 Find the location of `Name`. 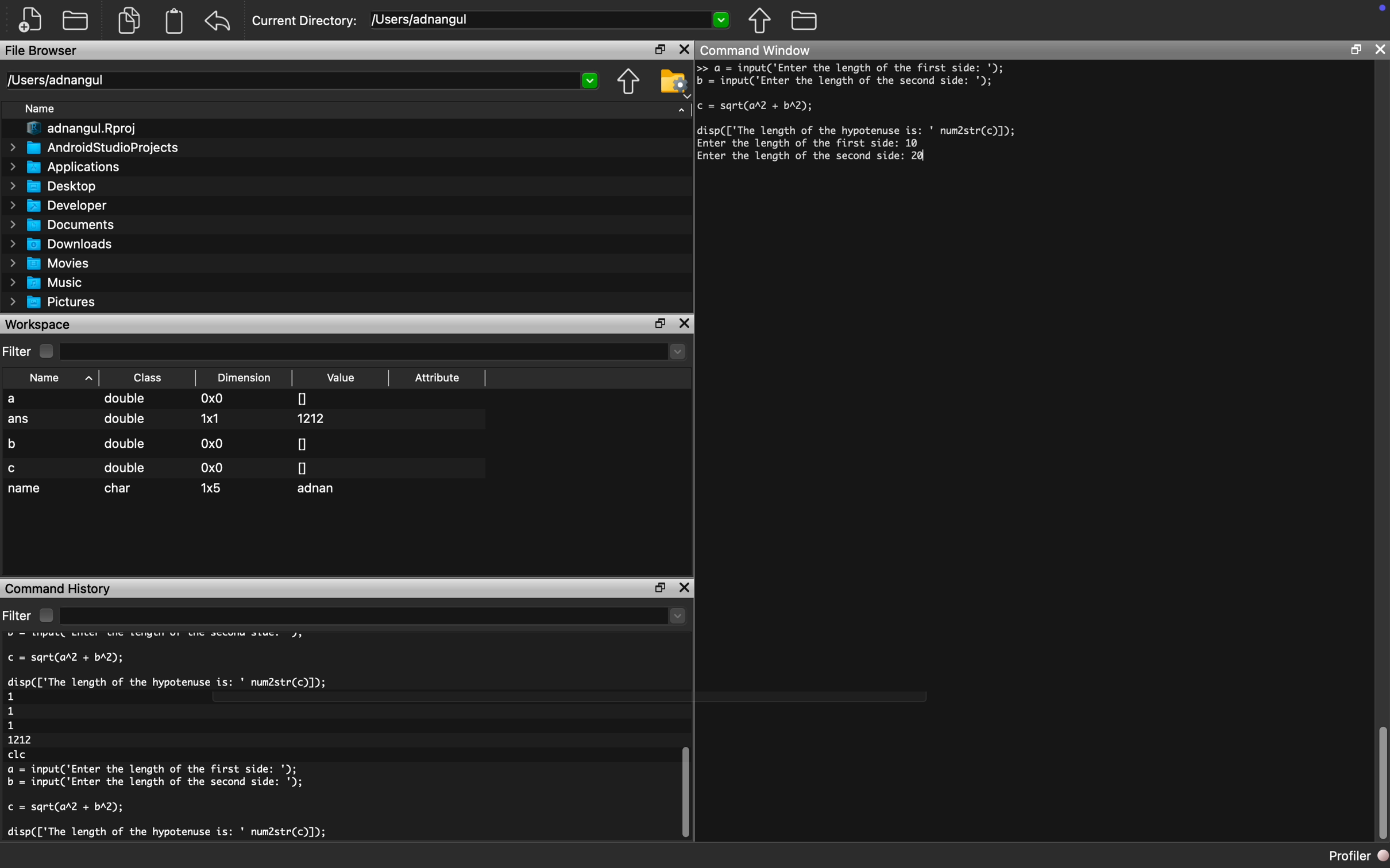

Name is located at coordinates (45, 110).